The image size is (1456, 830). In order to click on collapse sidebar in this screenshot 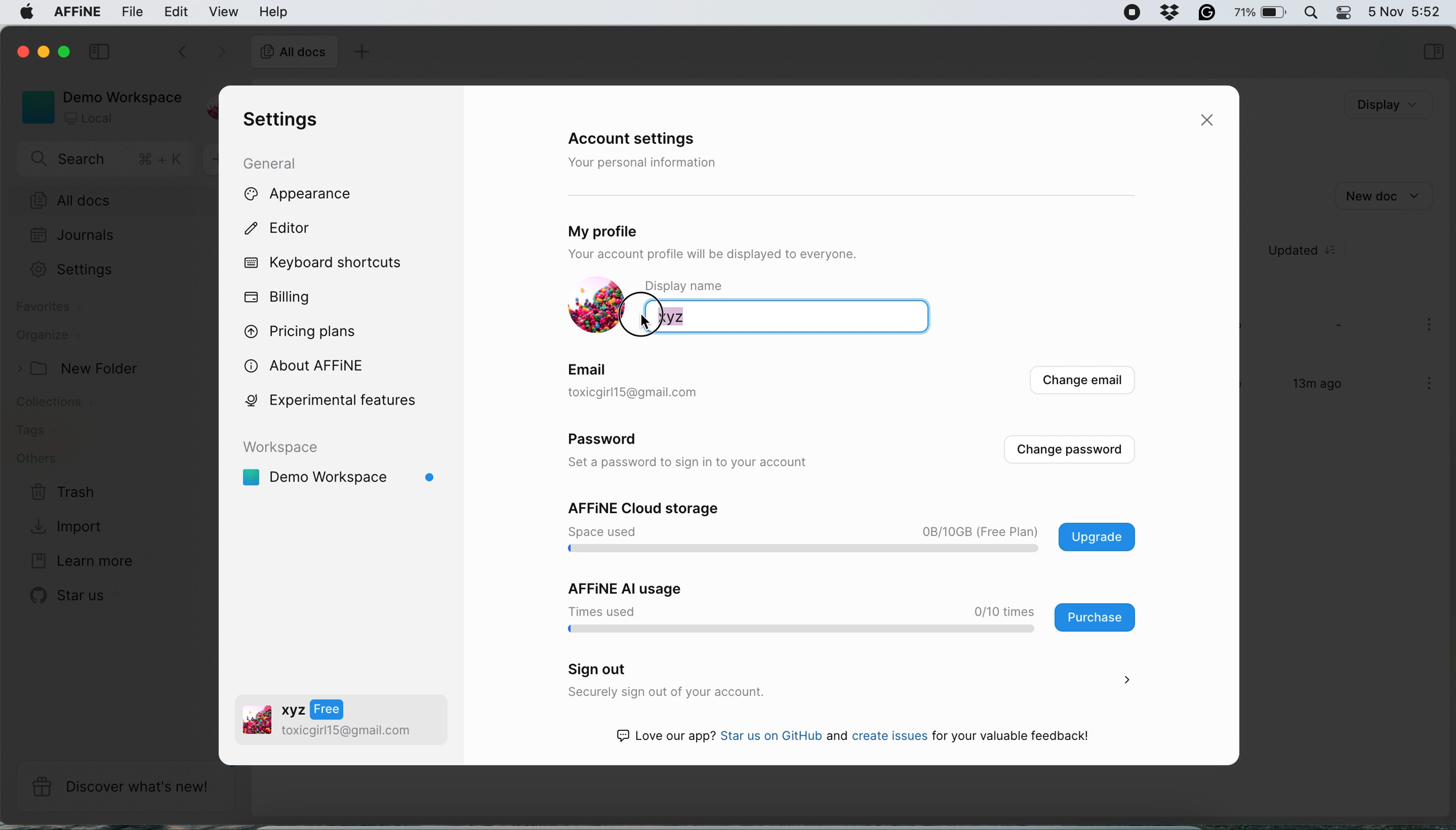, I will do `click(102, 50)`.